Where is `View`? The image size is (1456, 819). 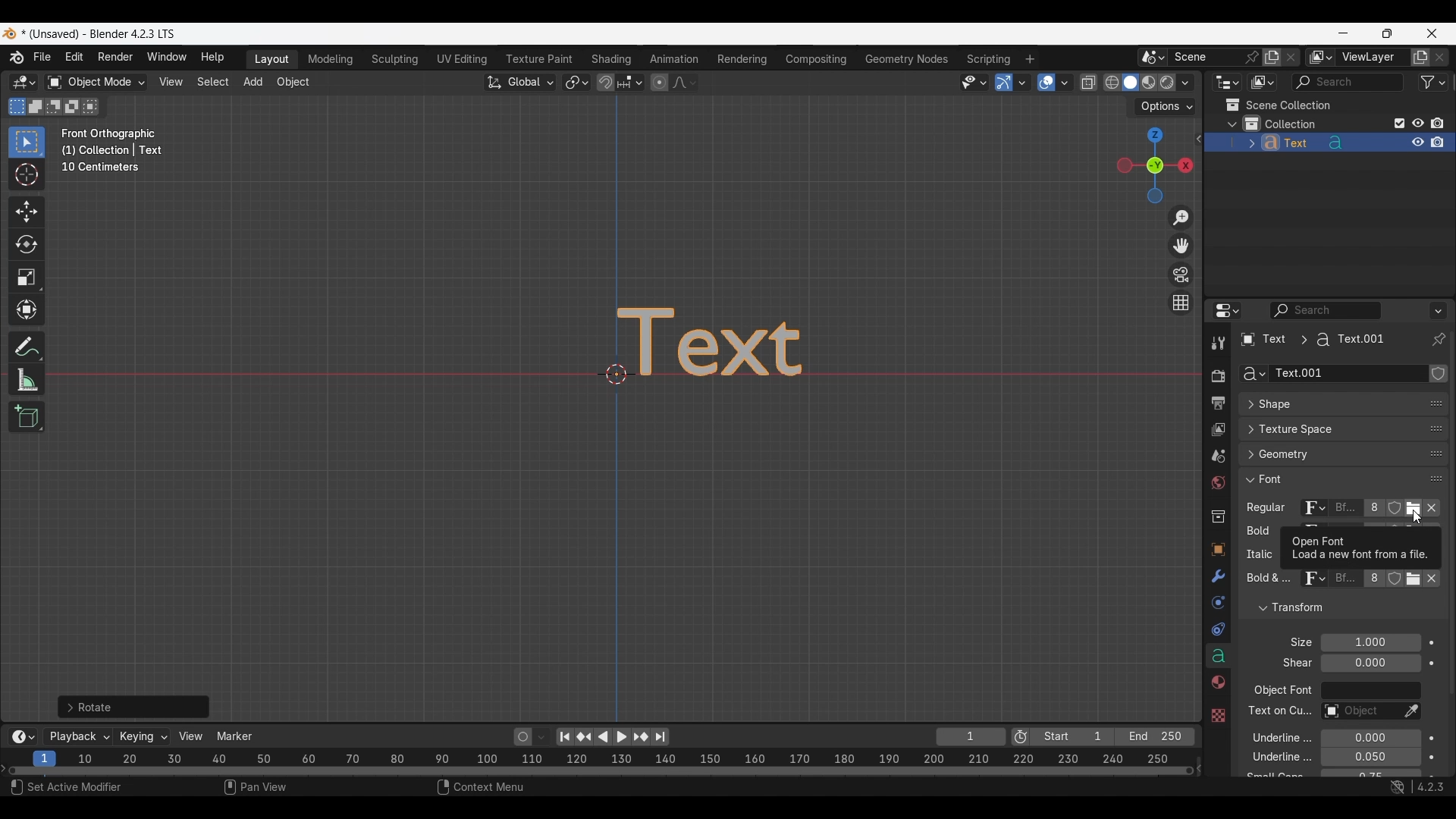
View is located at coordinates (191, 736).